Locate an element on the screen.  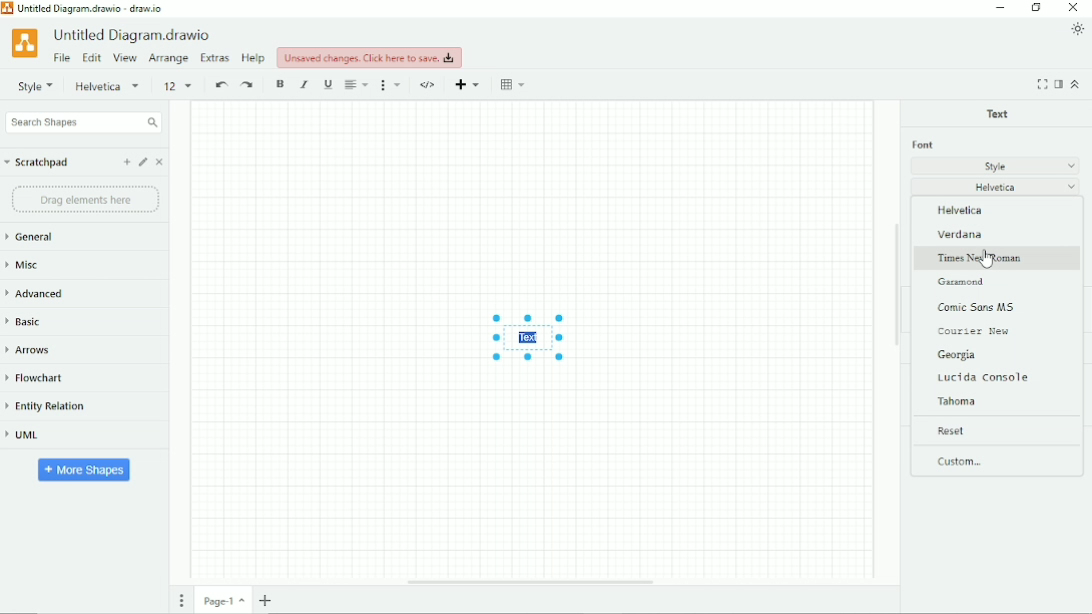
Bold is located at coordinates (280, 84).